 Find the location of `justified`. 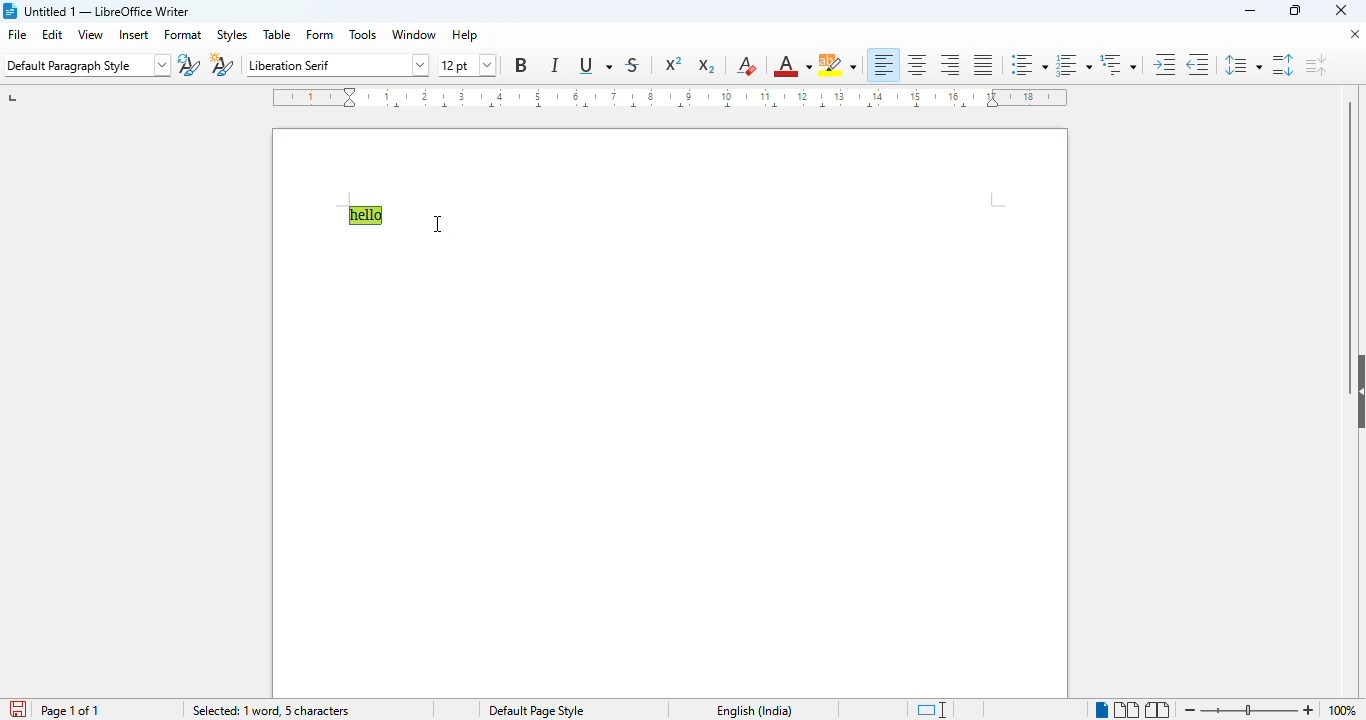

justified is located at coordinates (984, 65).